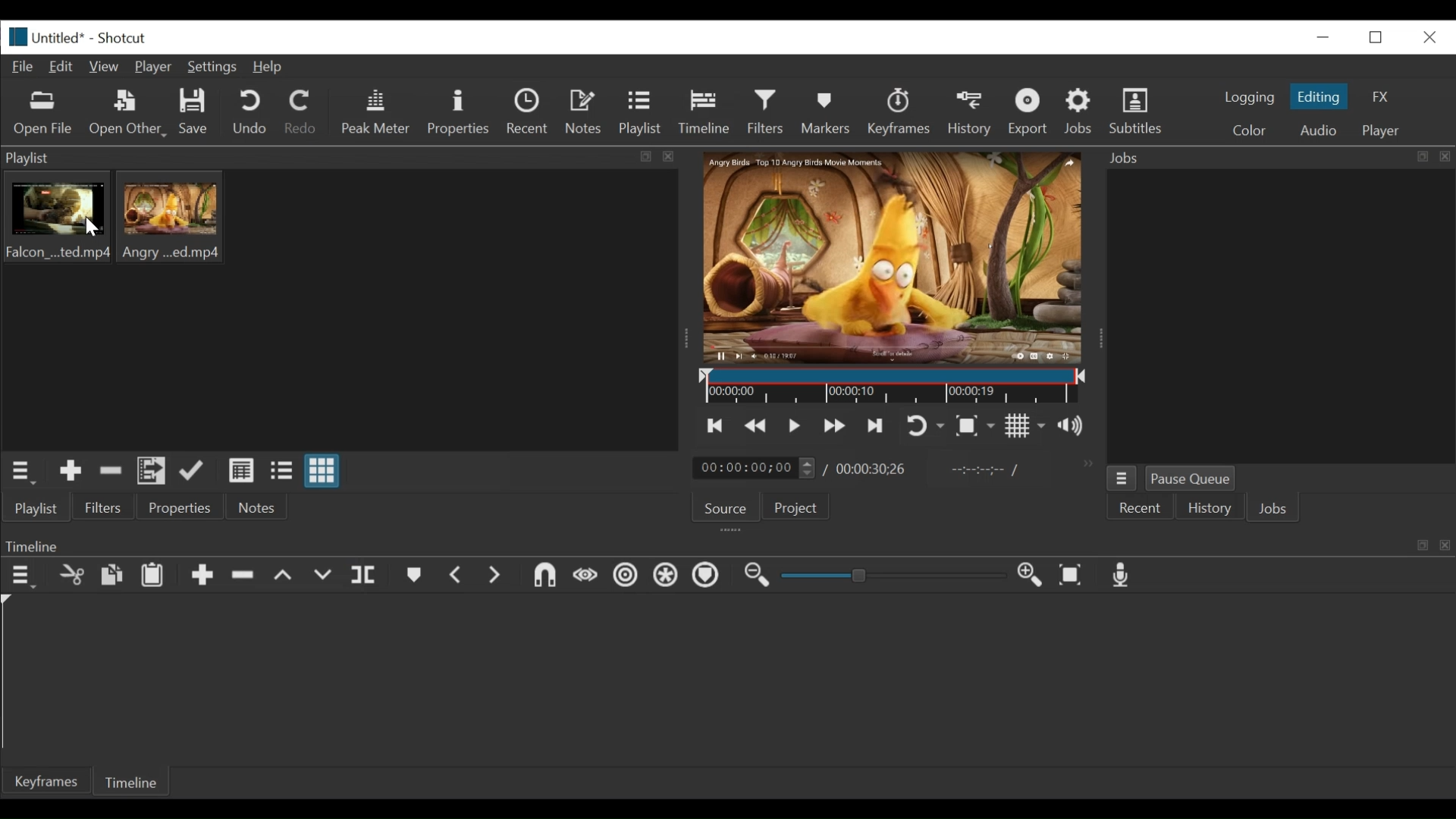 The width and height of the screenshot is (1456, 819). I want to click on Player, so click(157, 68).